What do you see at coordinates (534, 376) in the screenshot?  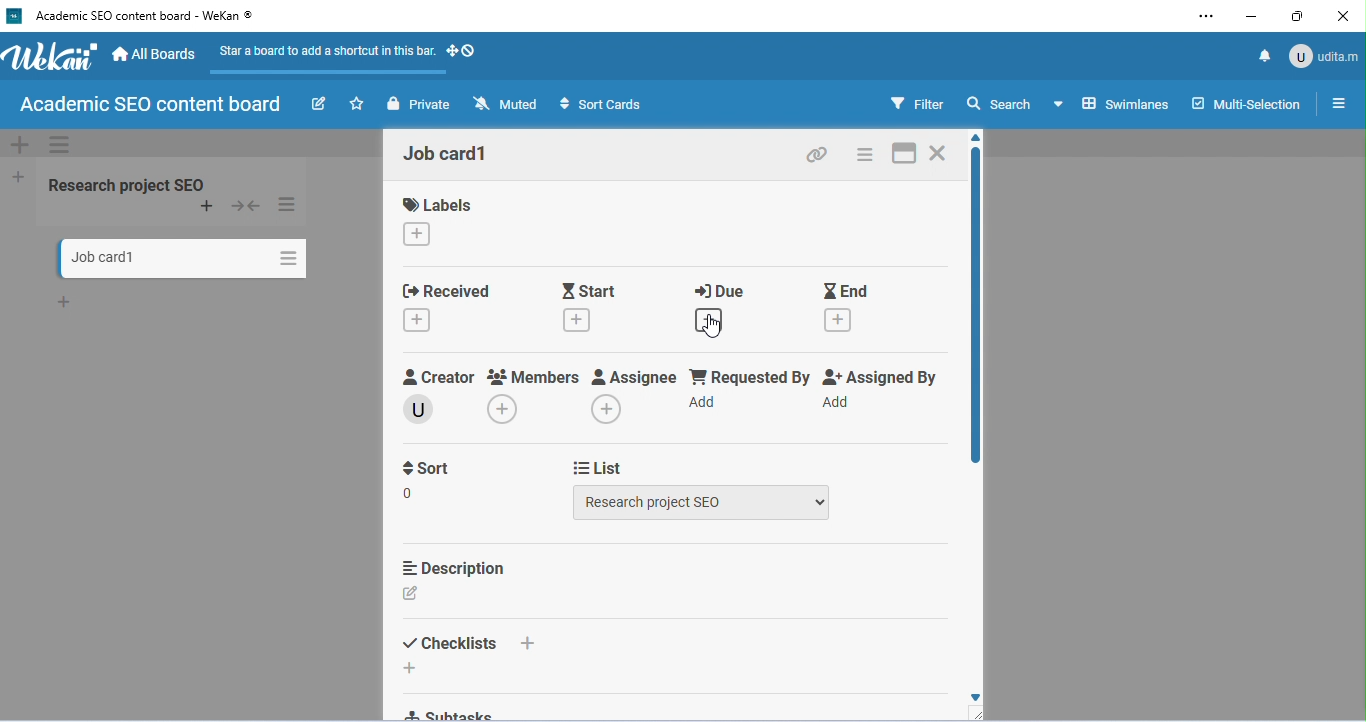 I see `members` at bounding box center [534, 376].